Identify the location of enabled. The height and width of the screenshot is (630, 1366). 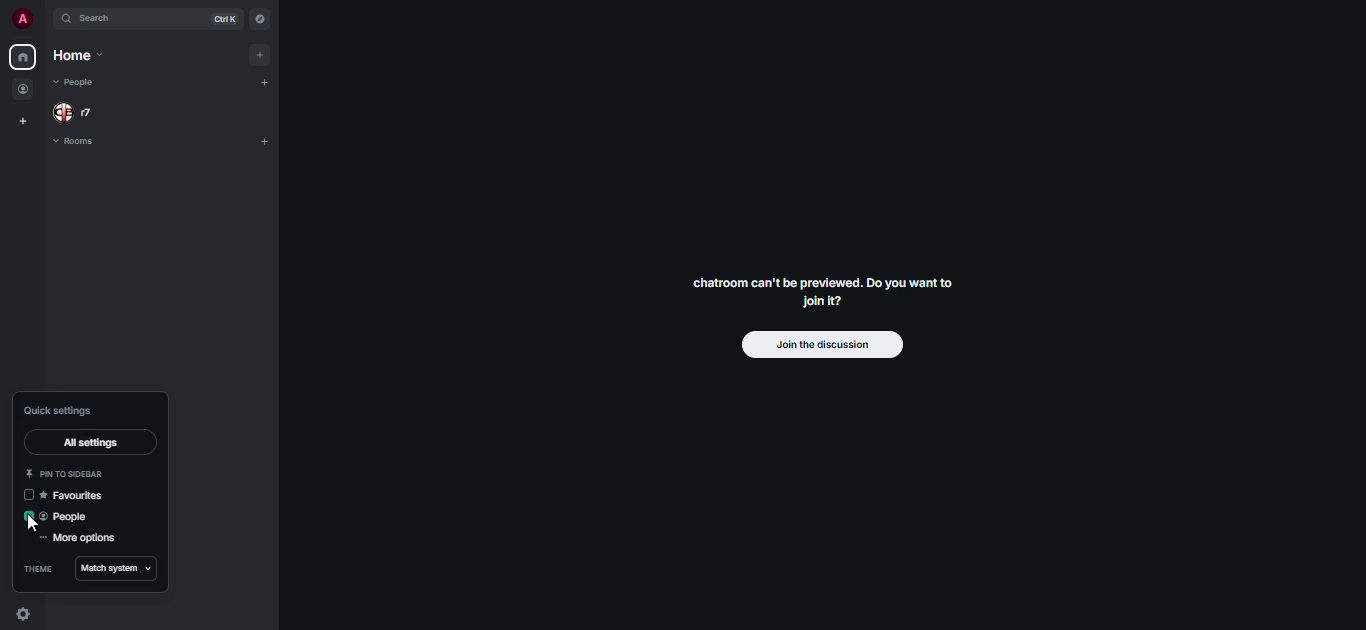
(29, 517).